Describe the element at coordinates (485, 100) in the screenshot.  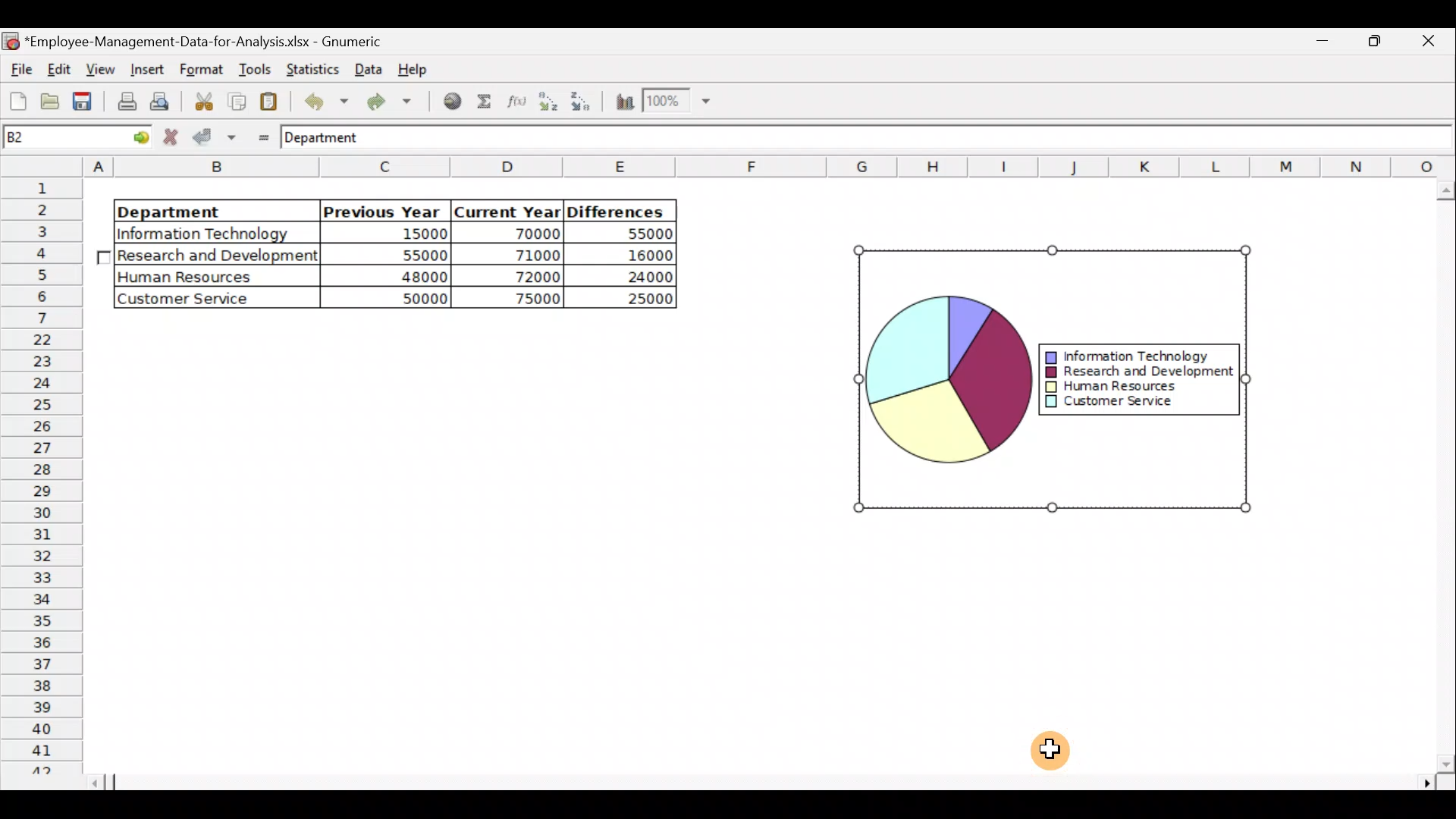
I see `Sum into the current cell` at that location.